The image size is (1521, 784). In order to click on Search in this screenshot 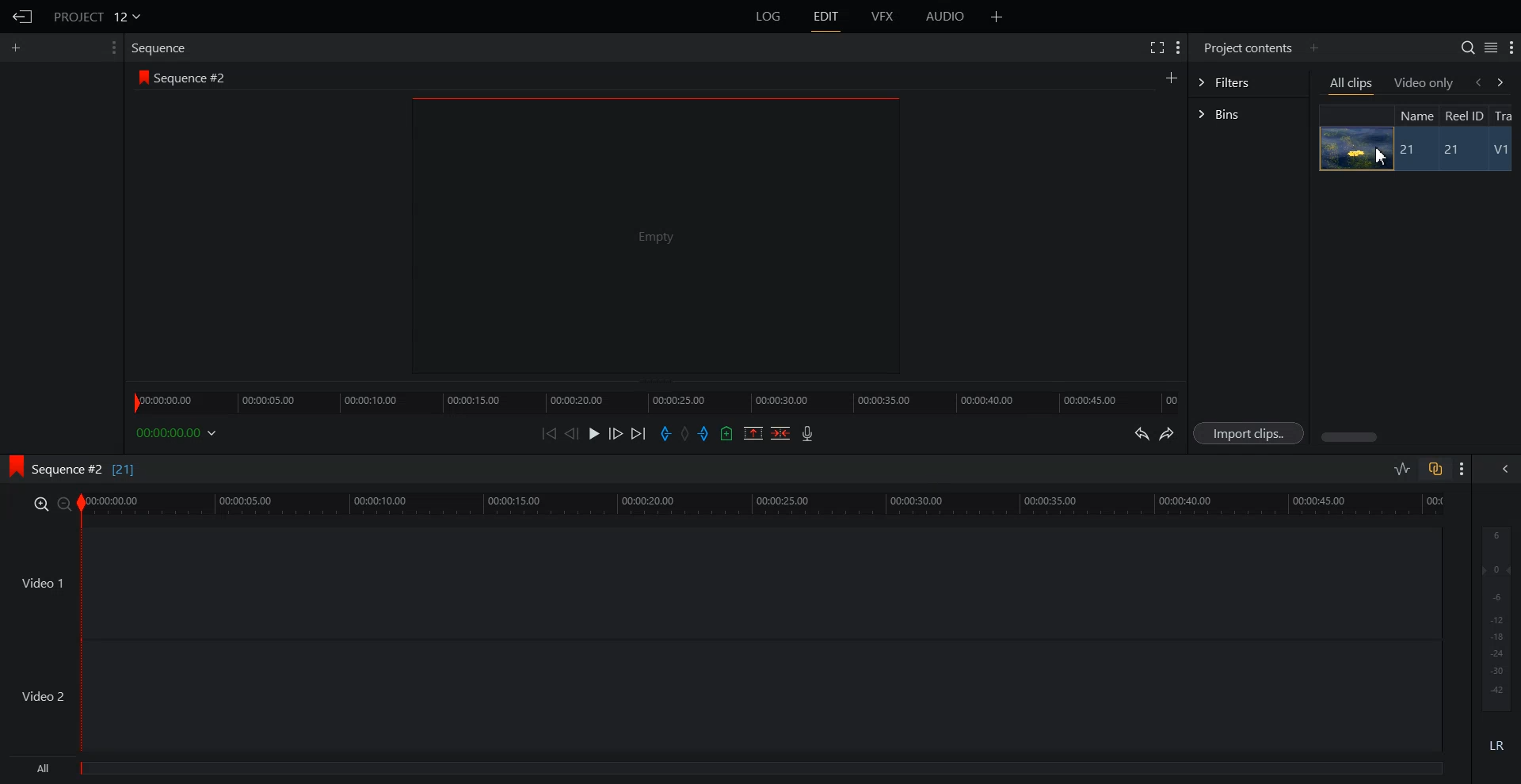, I will do `click(1467, 48)`.